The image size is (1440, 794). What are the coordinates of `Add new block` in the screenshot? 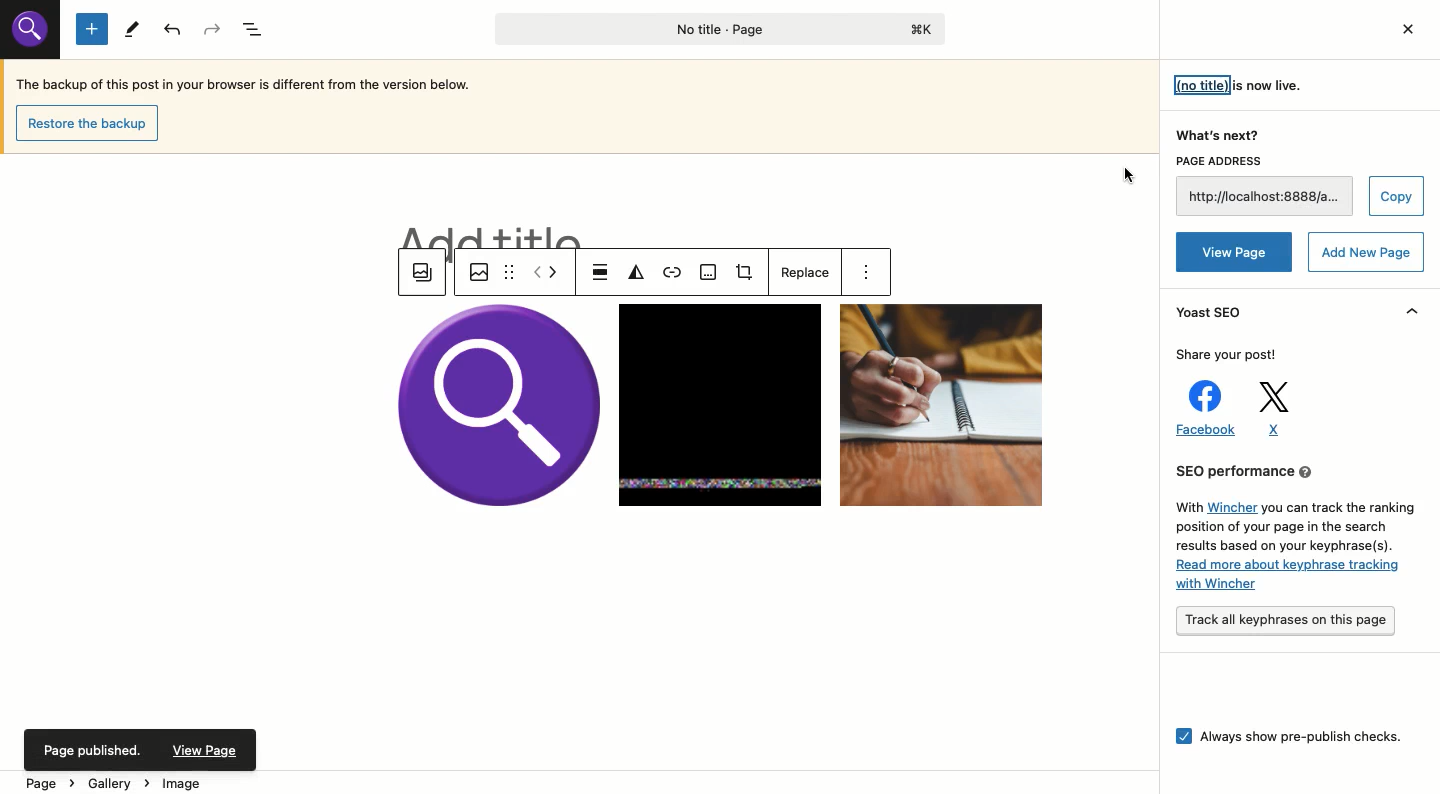 It's located at (92, 30).